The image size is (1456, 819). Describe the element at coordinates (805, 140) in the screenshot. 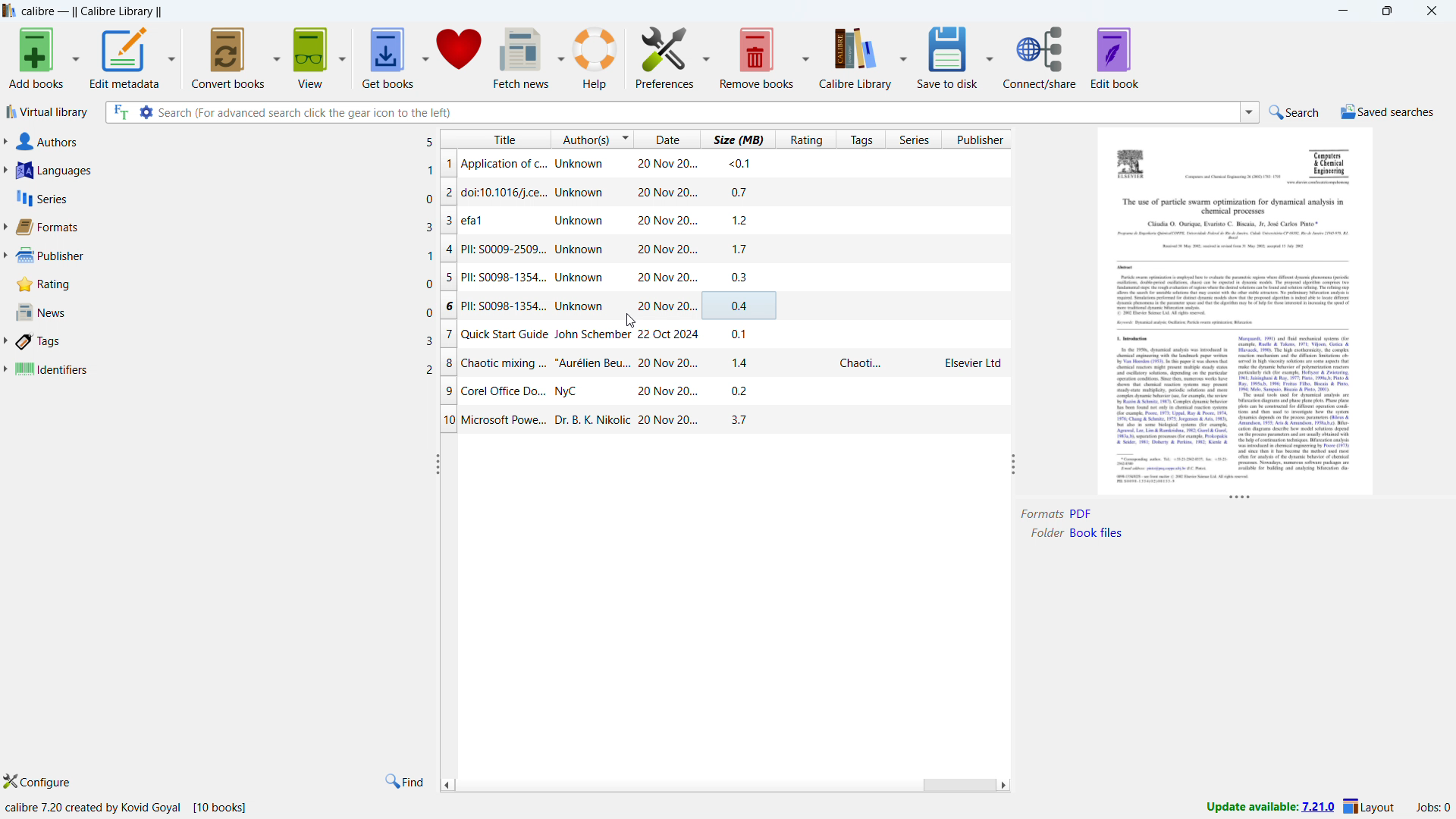

I see `sort by rating` at that location.